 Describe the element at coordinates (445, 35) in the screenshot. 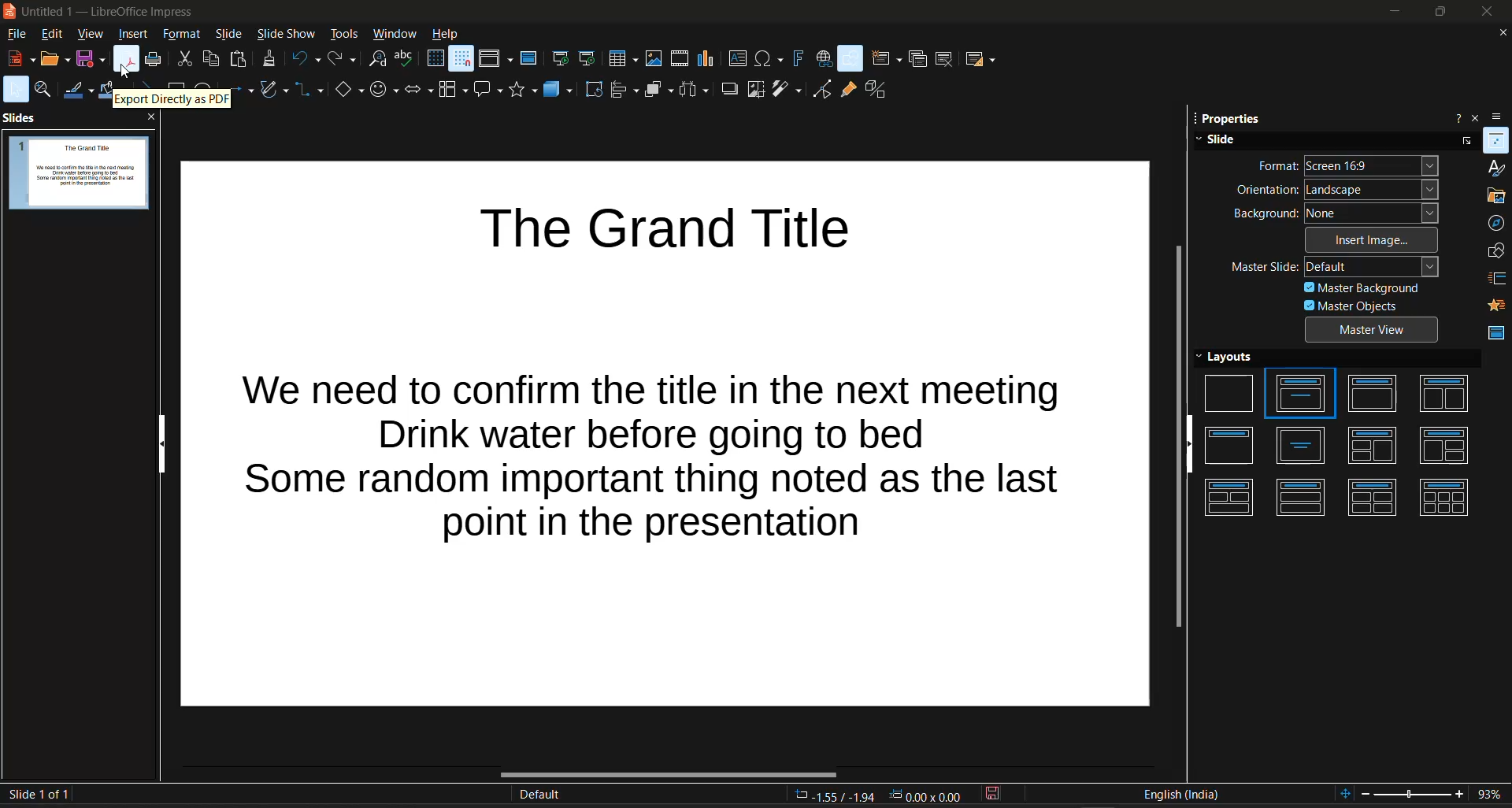

I see `help` at that location.